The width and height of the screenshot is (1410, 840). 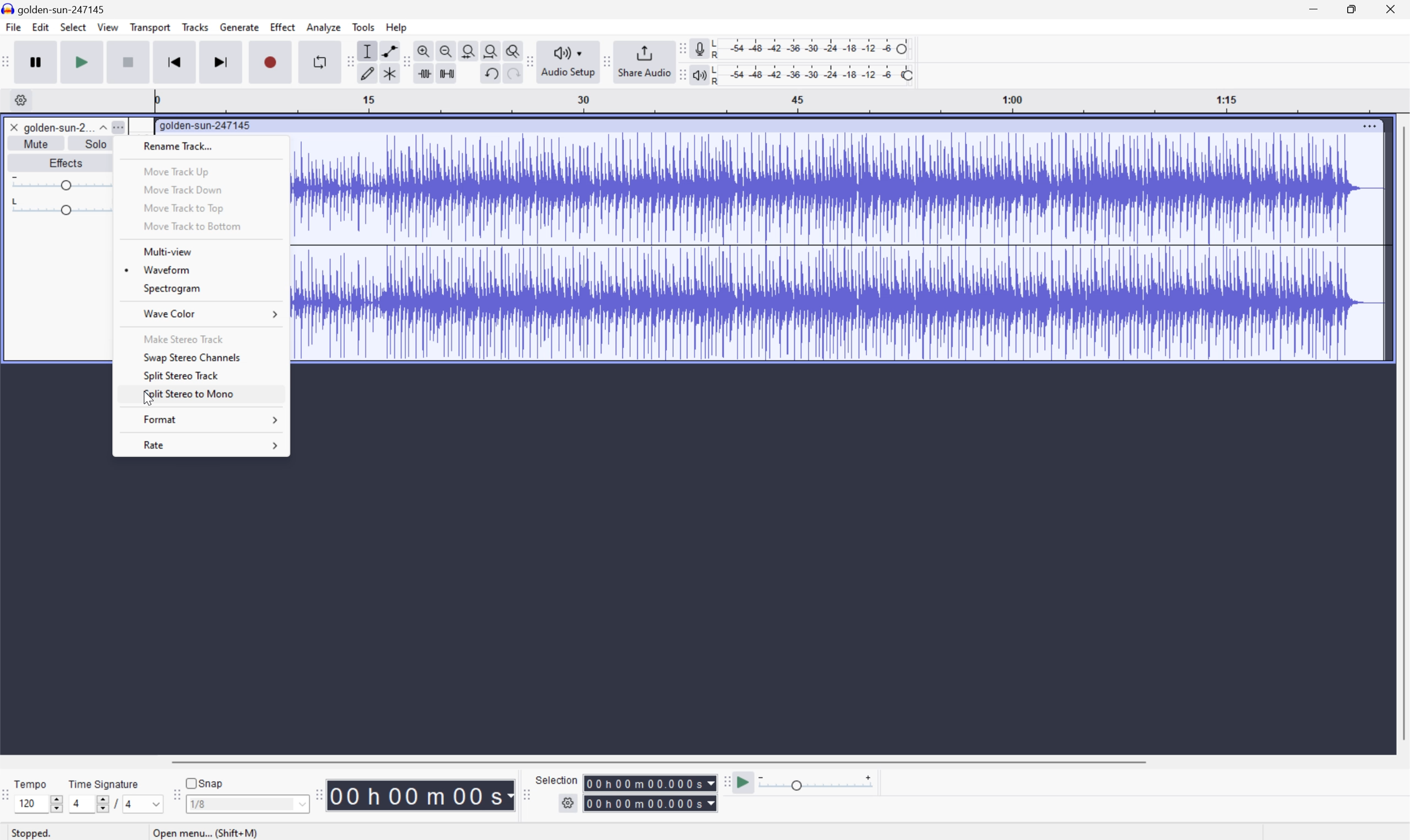 I want to click on View, so click(x=109, y=26).